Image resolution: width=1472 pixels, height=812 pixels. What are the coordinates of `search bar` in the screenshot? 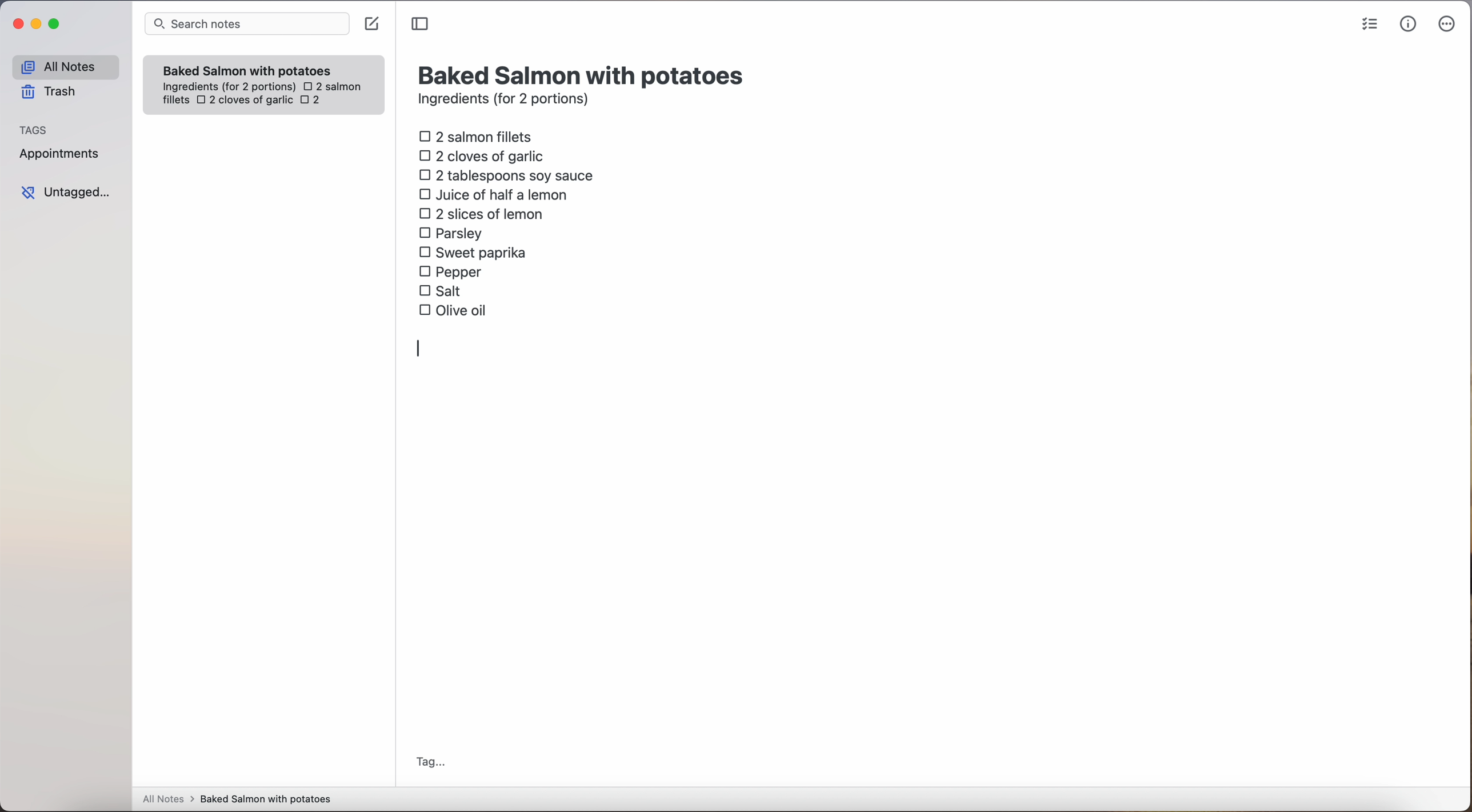 It's located at (246, 25).